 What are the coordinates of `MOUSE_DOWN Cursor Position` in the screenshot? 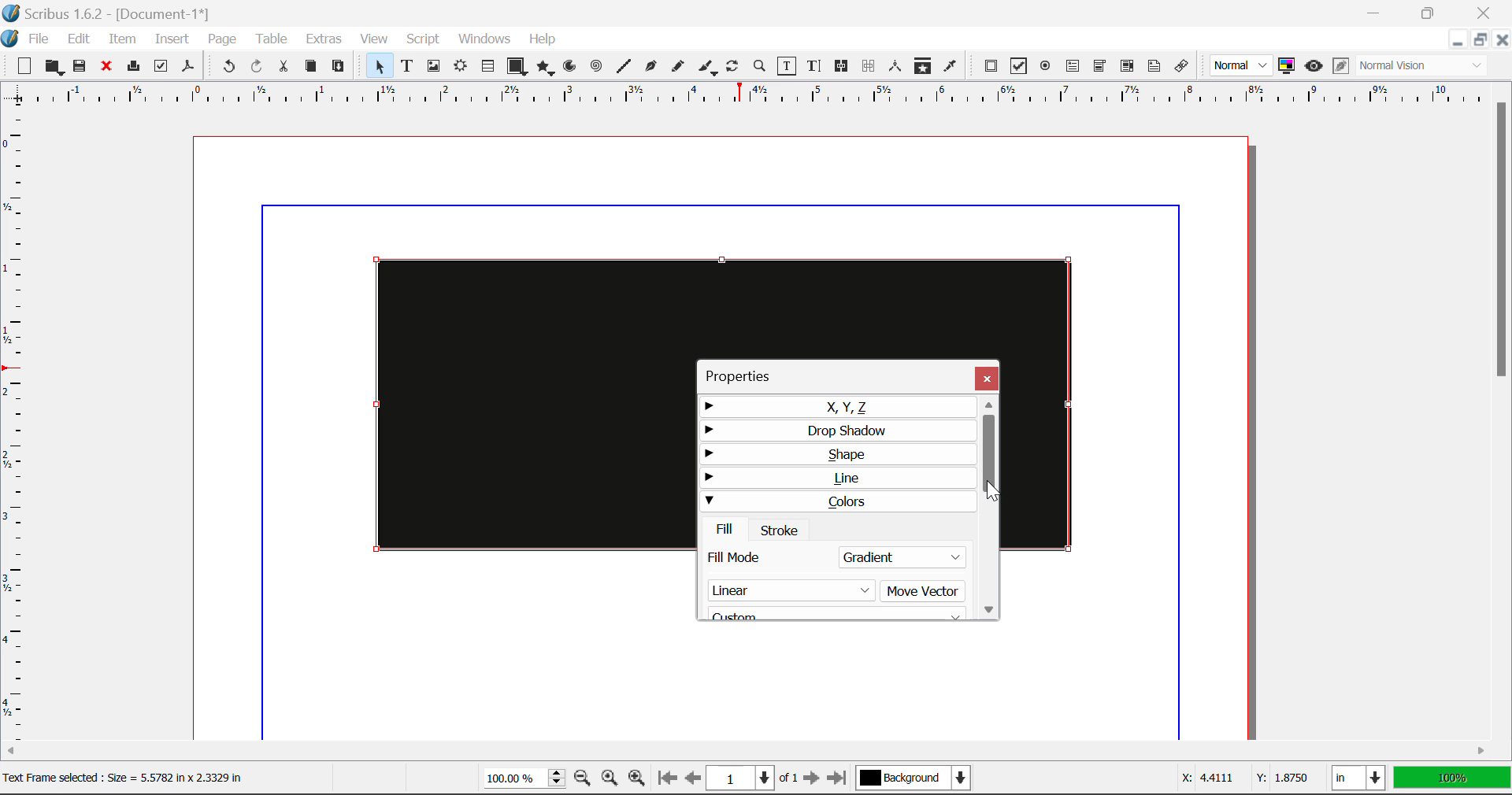 It's located at (991, 494).